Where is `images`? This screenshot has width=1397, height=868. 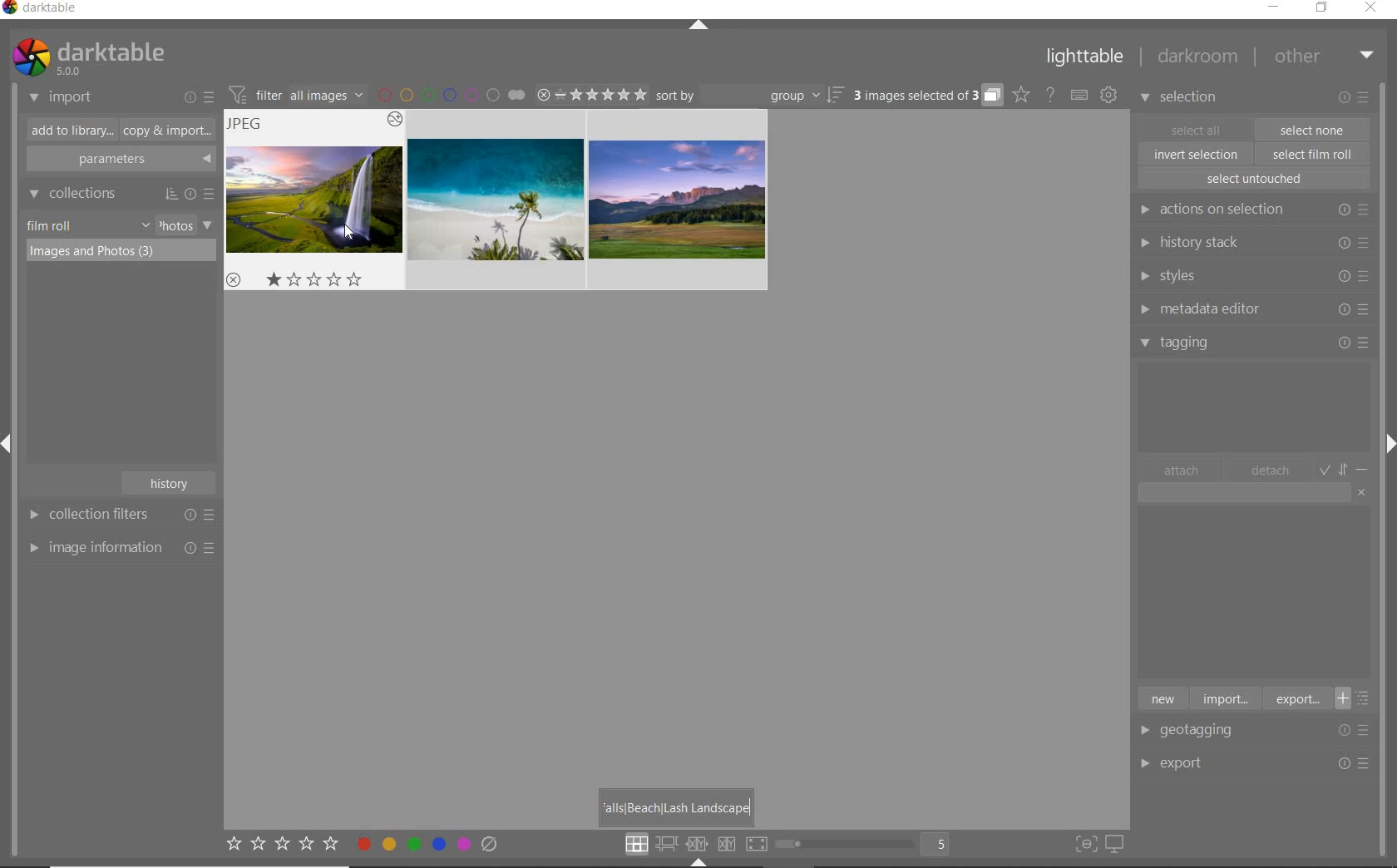 images is located at coordinates (496, 200).